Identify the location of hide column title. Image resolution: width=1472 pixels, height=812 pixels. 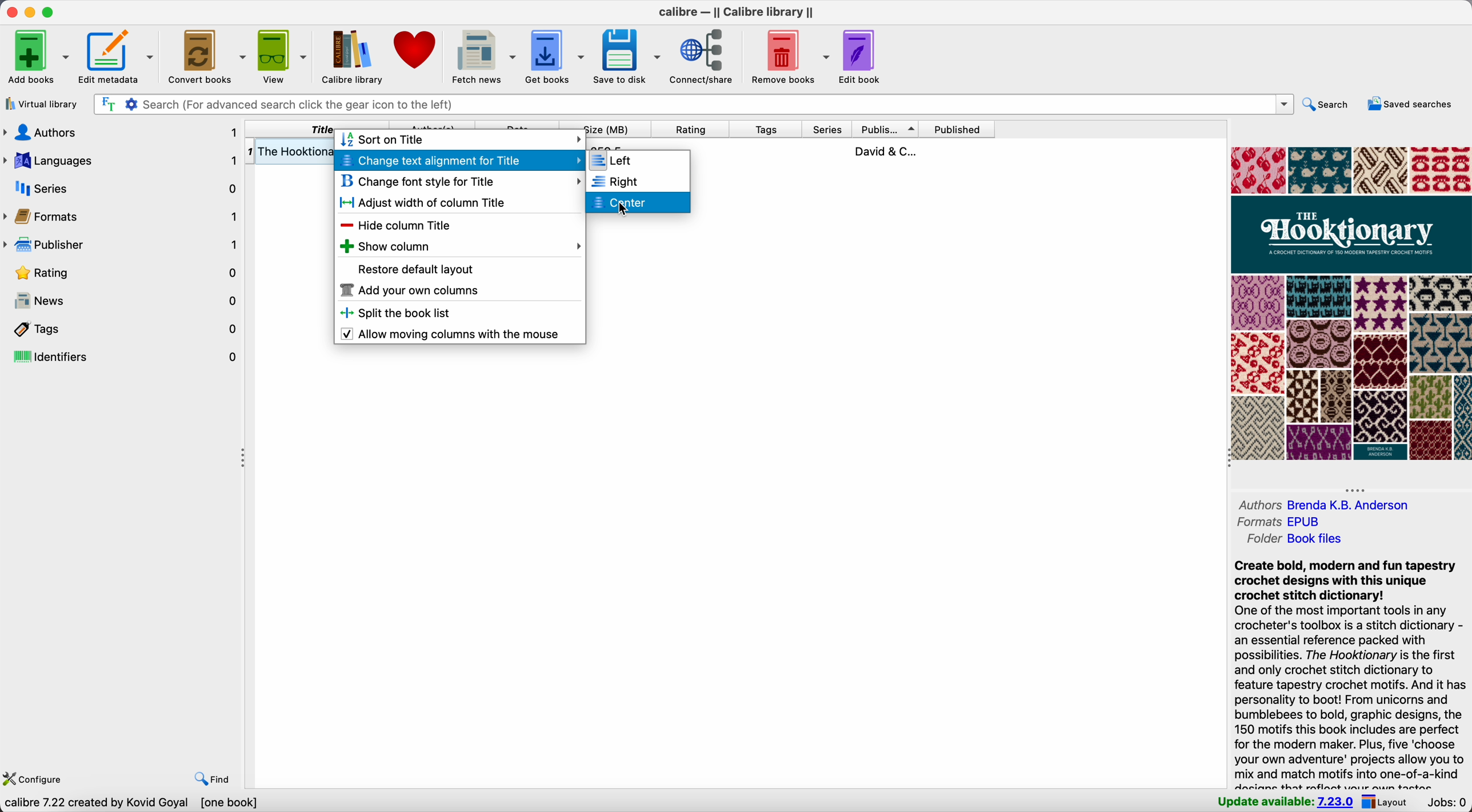
(401, 226).